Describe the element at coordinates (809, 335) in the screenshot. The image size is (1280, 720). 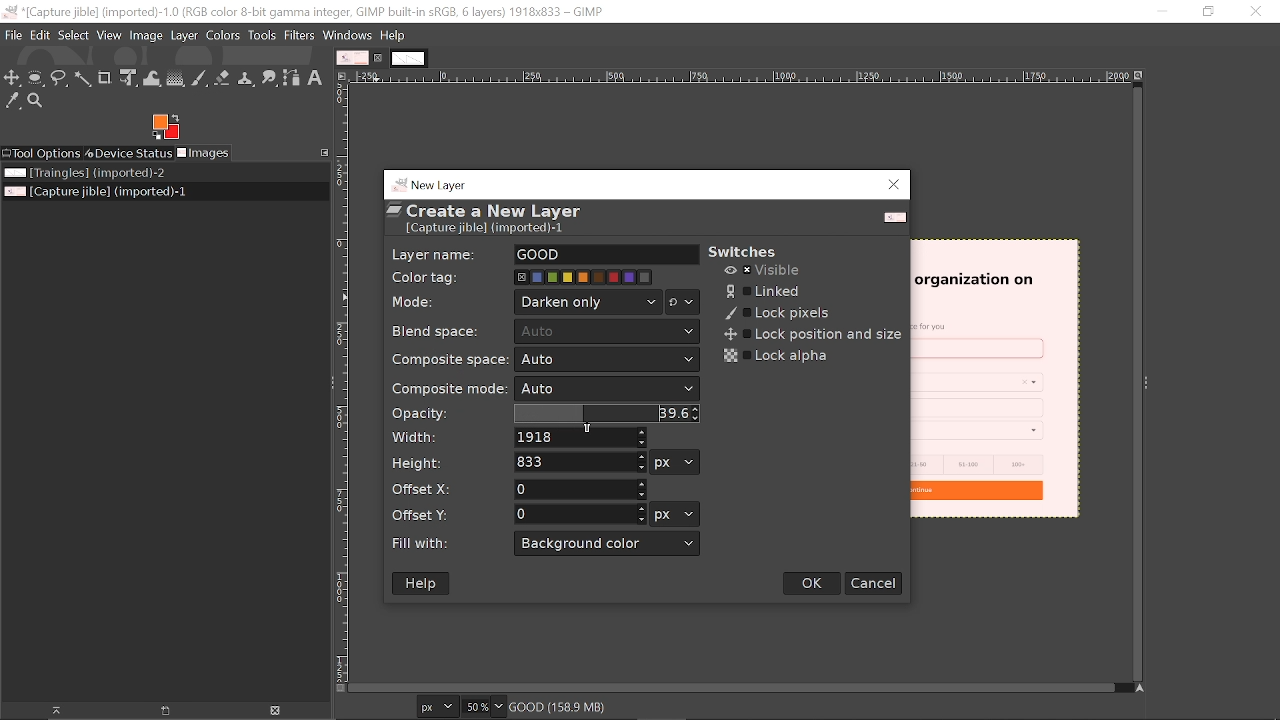
I see `Lock position and size` at that location.